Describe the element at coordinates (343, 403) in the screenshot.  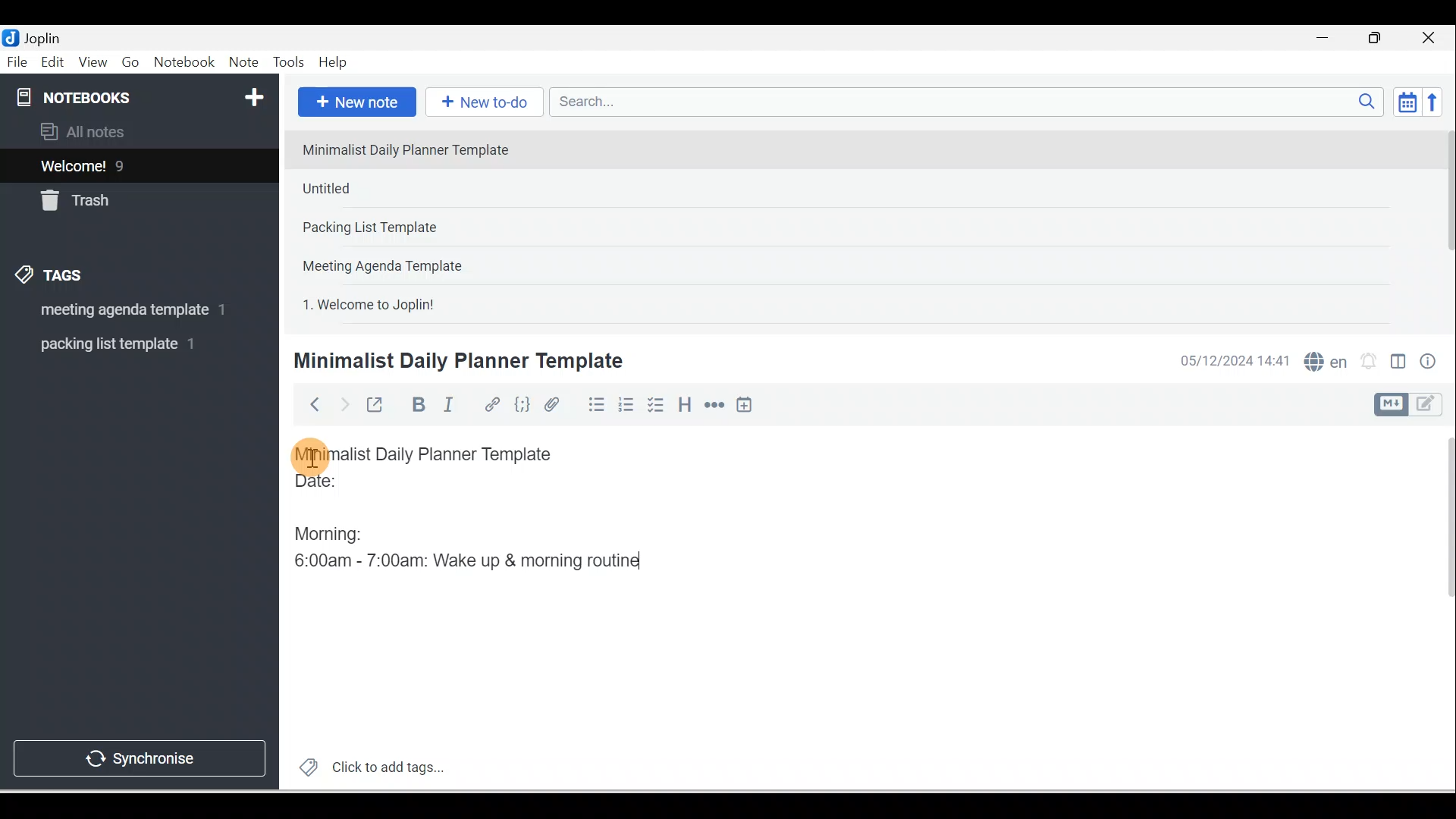
I see `Forward` at that location.